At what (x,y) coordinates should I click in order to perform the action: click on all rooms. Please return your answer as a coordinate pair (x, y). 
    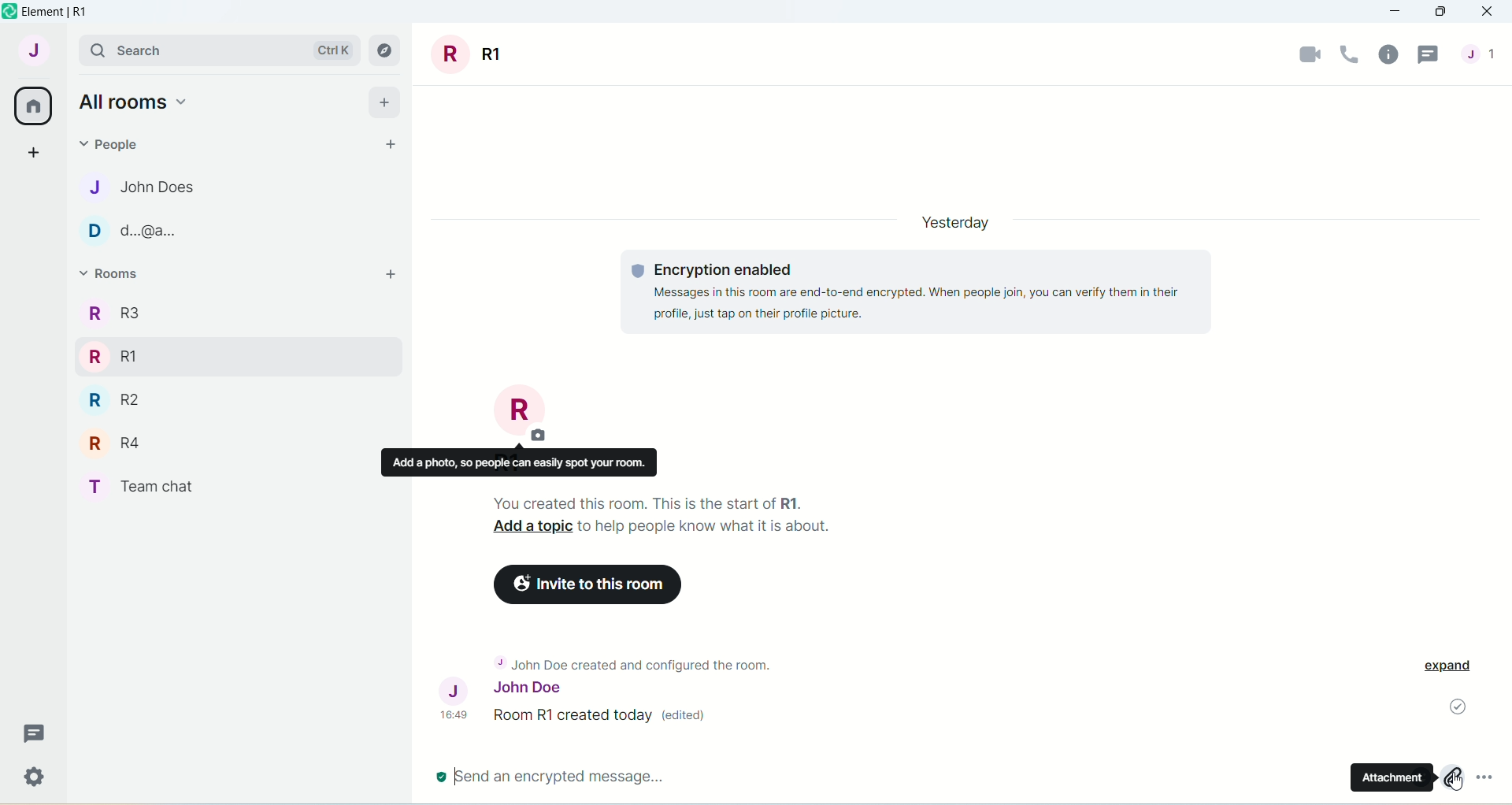
    Looking at the image, I should click on (138, 102).